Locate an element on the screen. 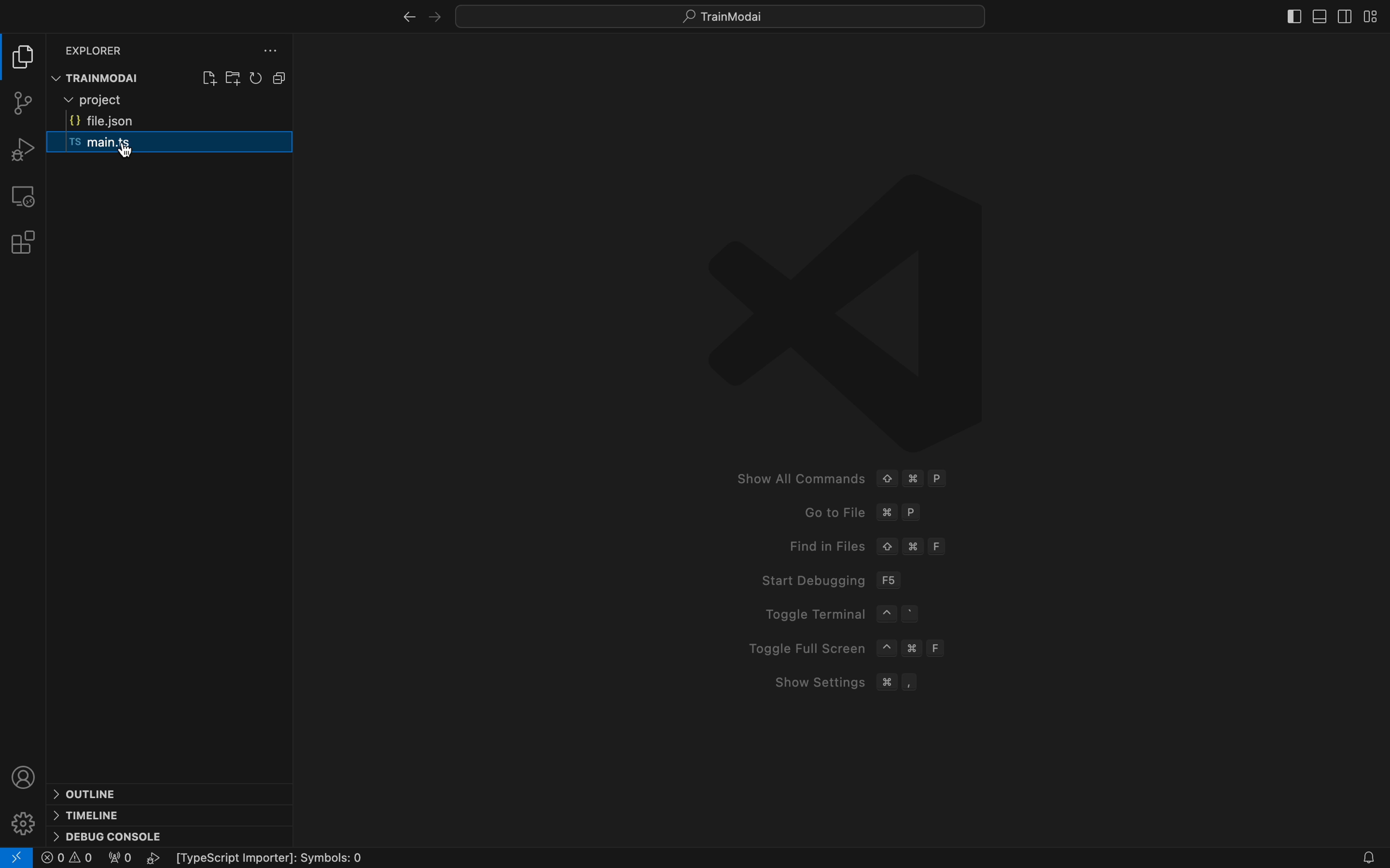  right arrow is located at coordinates (403, 15).